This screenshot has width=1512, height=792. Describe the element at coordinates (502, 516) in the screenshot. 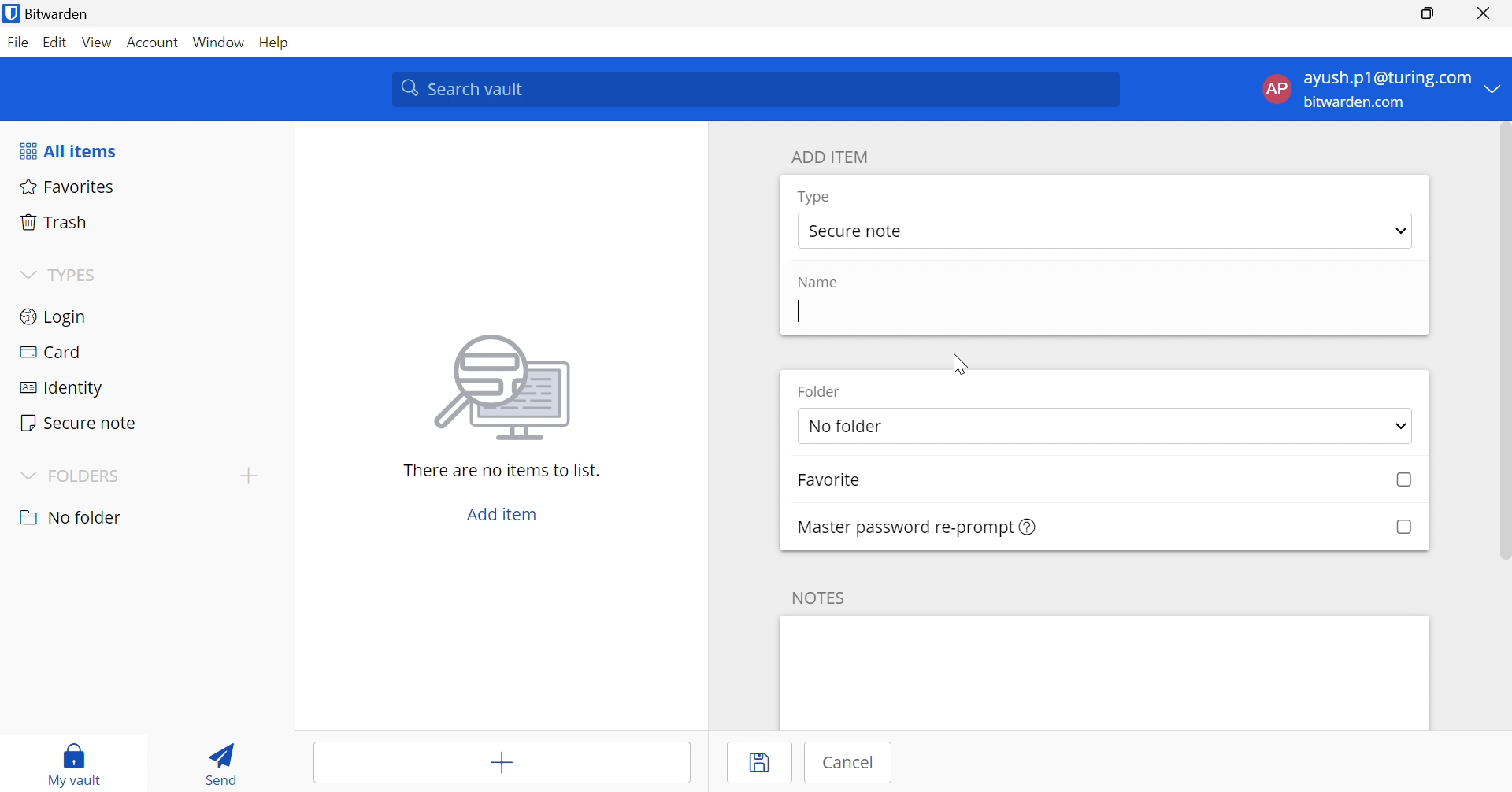

I see `Add item` at that location.